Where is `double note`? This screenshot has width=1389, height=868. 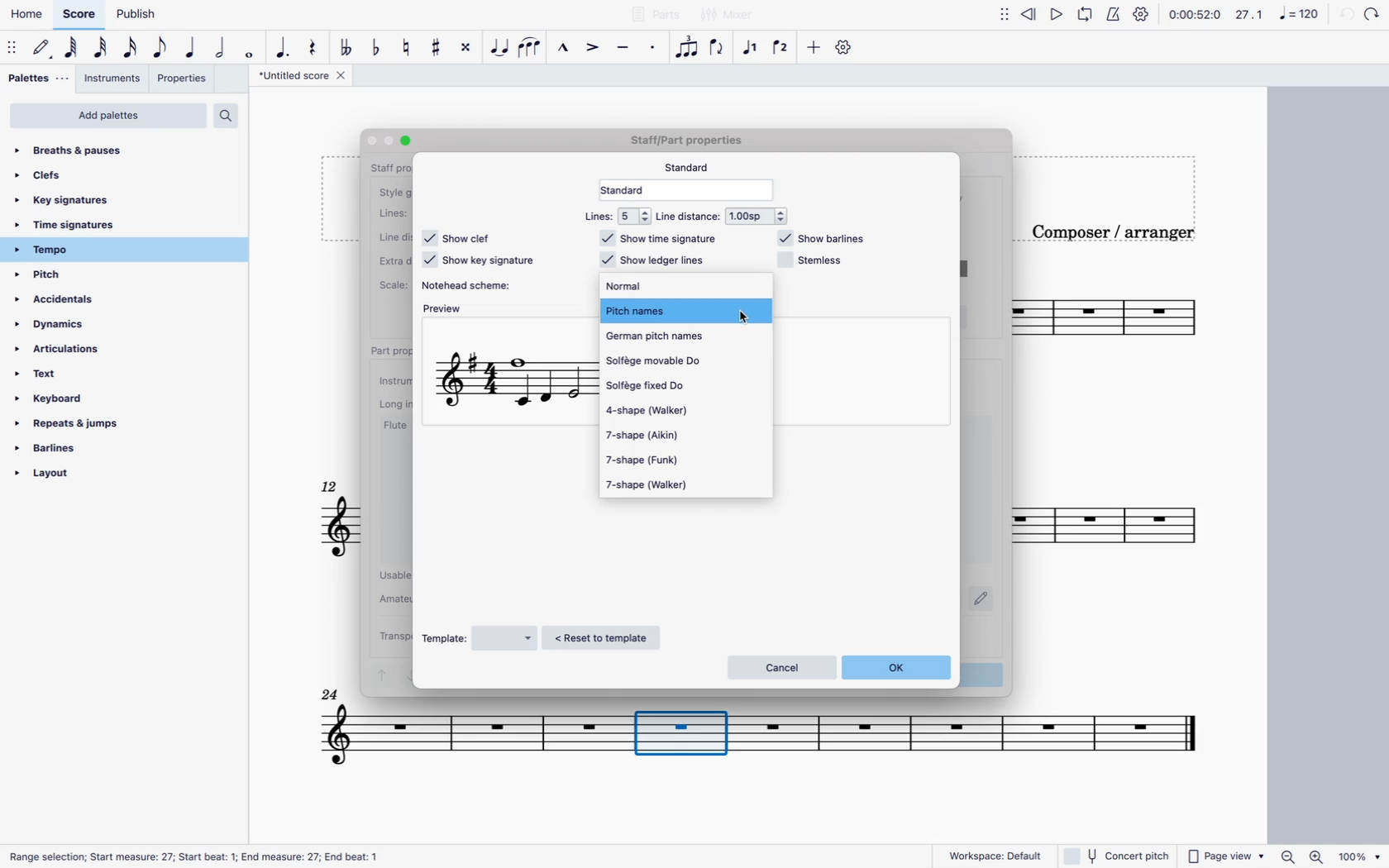
double note is located at coordinates (221, 47).